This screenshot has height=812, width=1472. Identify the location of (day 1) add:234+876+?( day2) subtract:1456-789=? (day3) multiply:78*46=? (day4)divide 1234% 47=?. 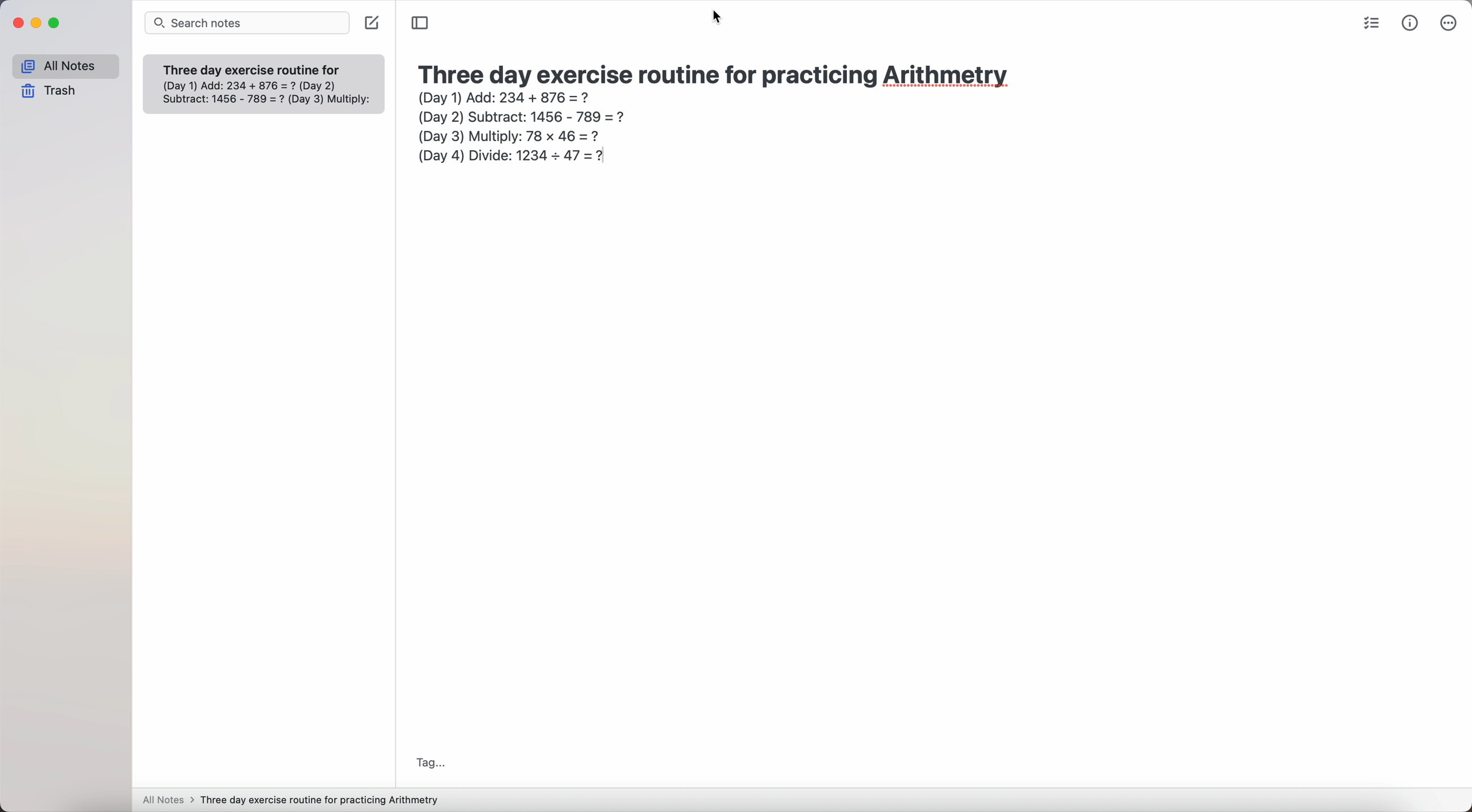
(514, 129).